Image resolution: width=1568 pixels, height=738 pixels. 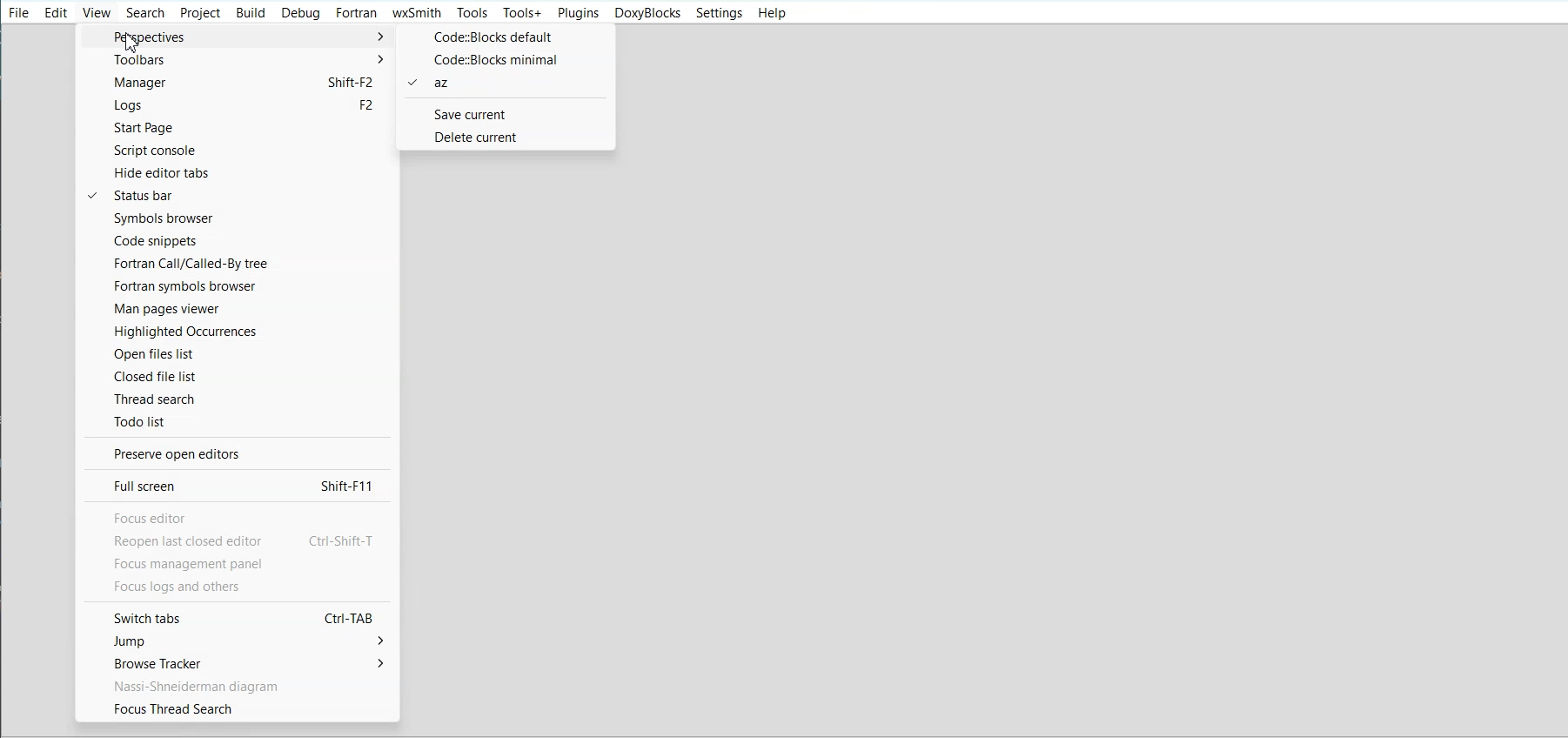 What do you see at coordinates (522, 13) in the screenshot?
I see `Tools+` at bounding box center [522, 13].